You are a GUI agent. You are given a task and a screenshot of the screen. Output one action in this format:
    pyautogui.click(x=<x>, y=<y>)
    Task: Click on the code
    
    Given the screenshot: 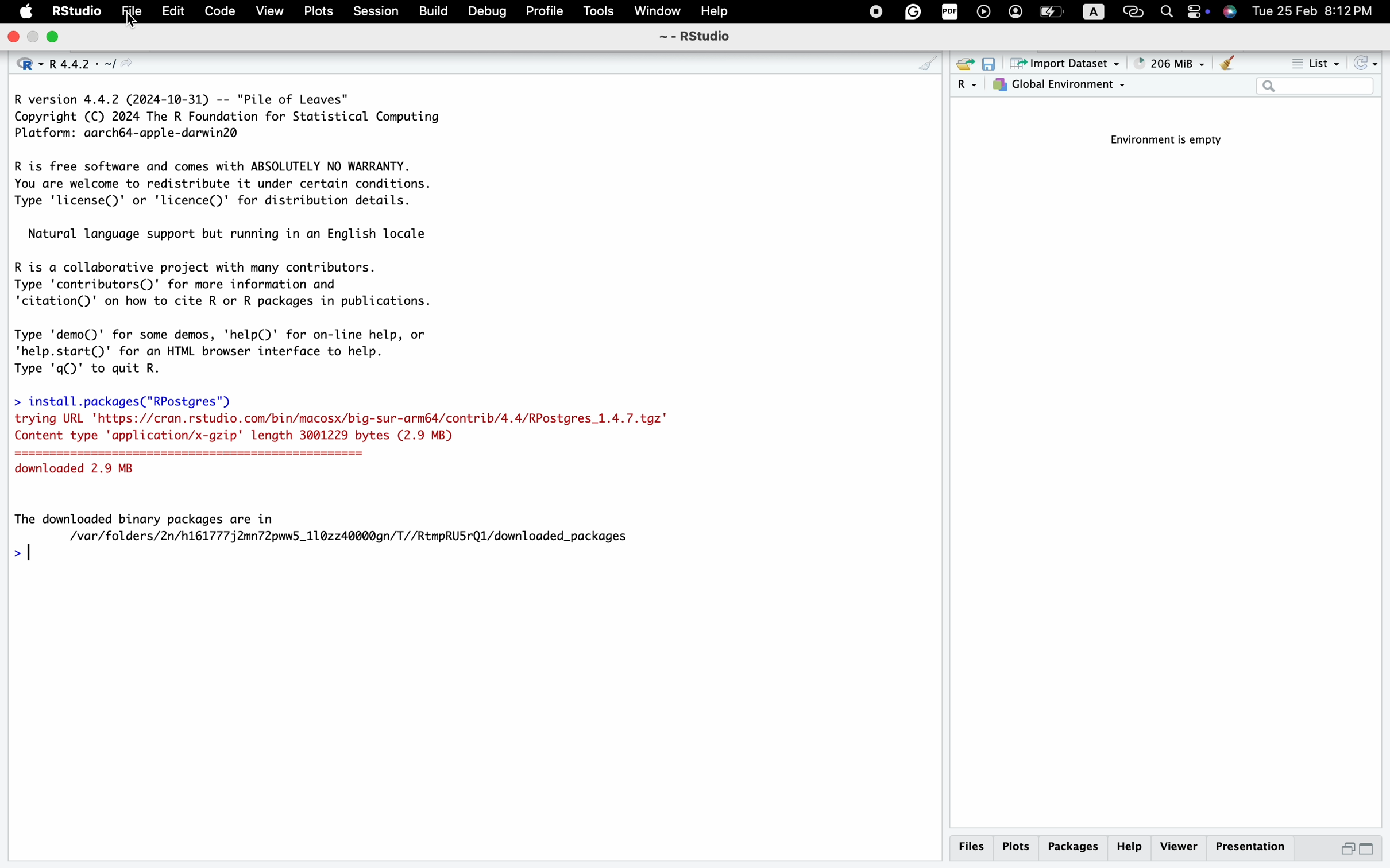 What is the action you would take?
    pyautogui.click(x=218, y=12)
    